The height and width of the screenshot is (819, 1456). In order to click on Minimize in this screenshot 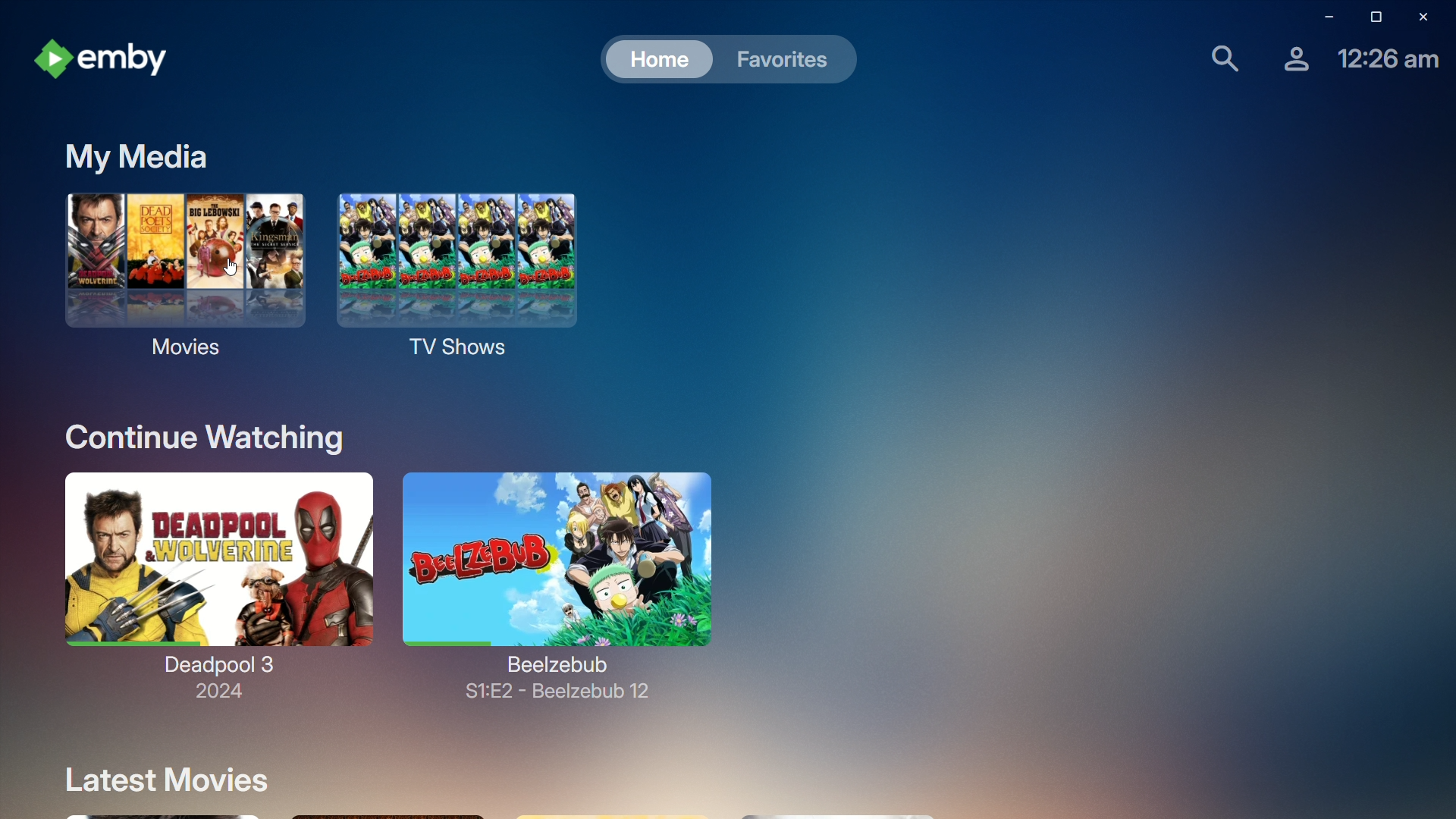, I will do `click(1320, 17)`.